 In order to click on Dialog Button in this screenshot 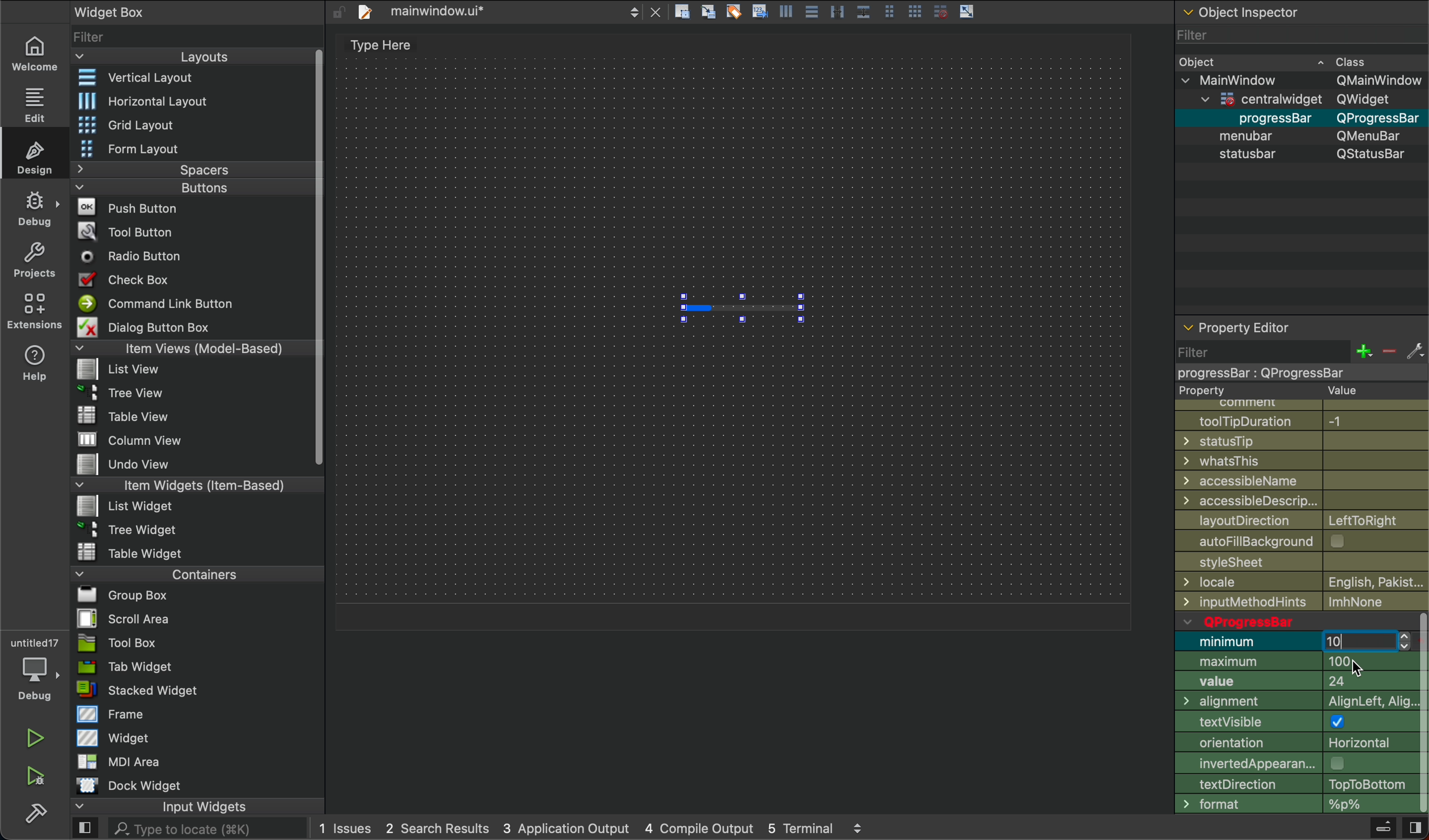, I will do `click(157, 326)`.